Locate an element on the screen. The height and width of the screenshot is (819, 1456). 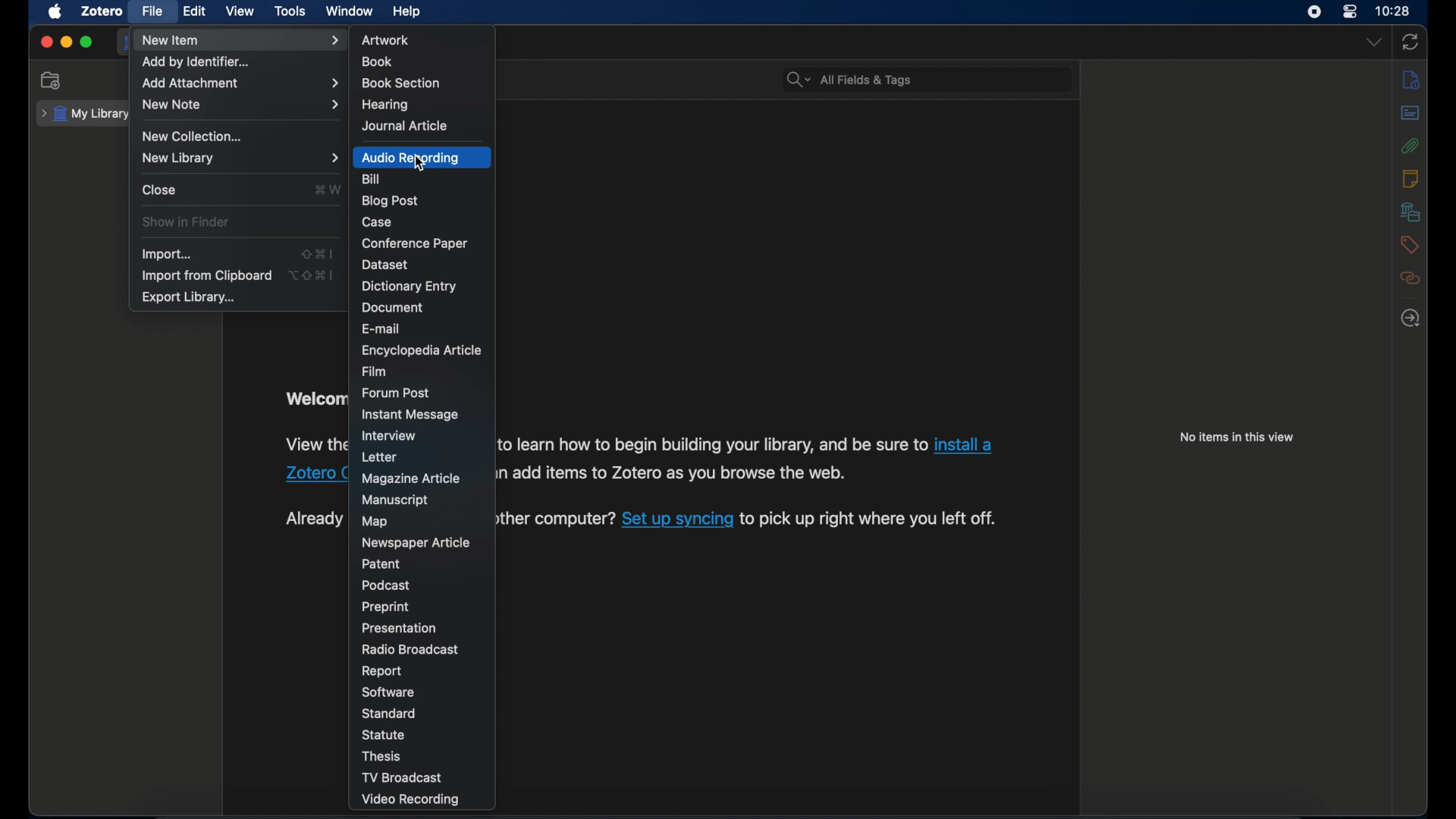
info is located at coordinates (1411, 80).